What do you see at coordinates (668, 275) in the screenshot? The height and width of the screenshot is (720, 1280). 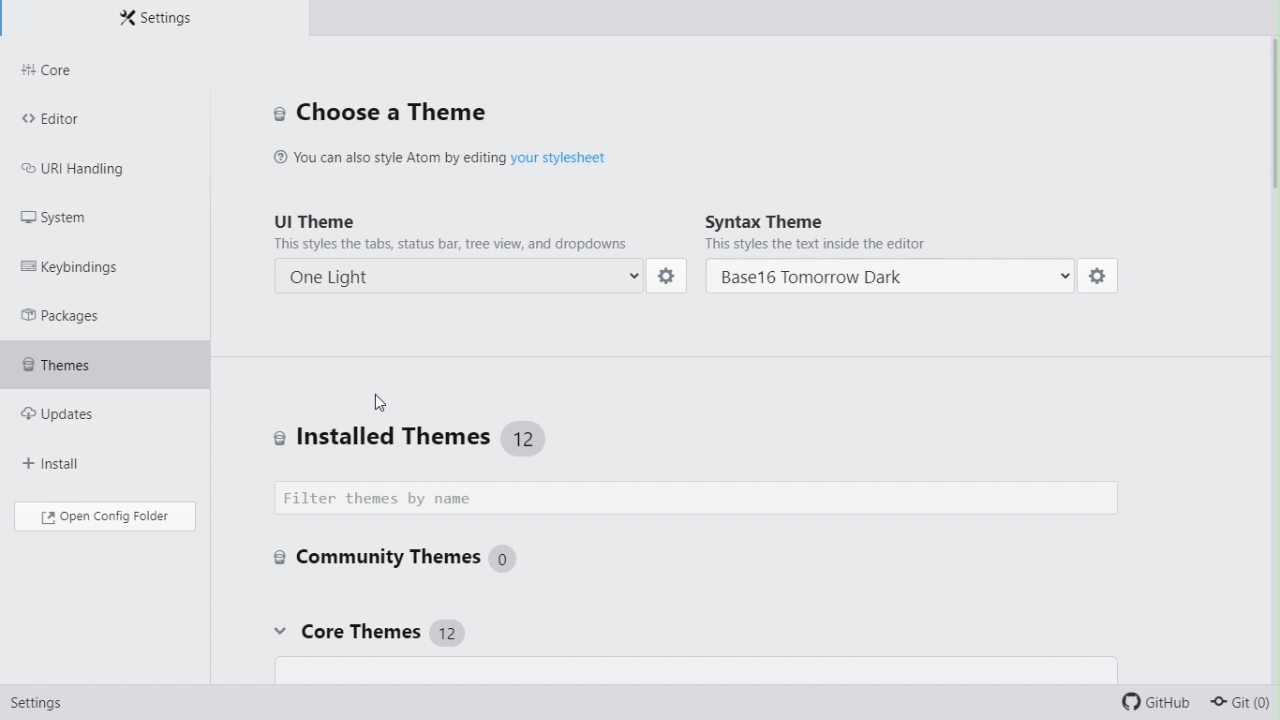 I see `settings` at bounding box center [668, 275].